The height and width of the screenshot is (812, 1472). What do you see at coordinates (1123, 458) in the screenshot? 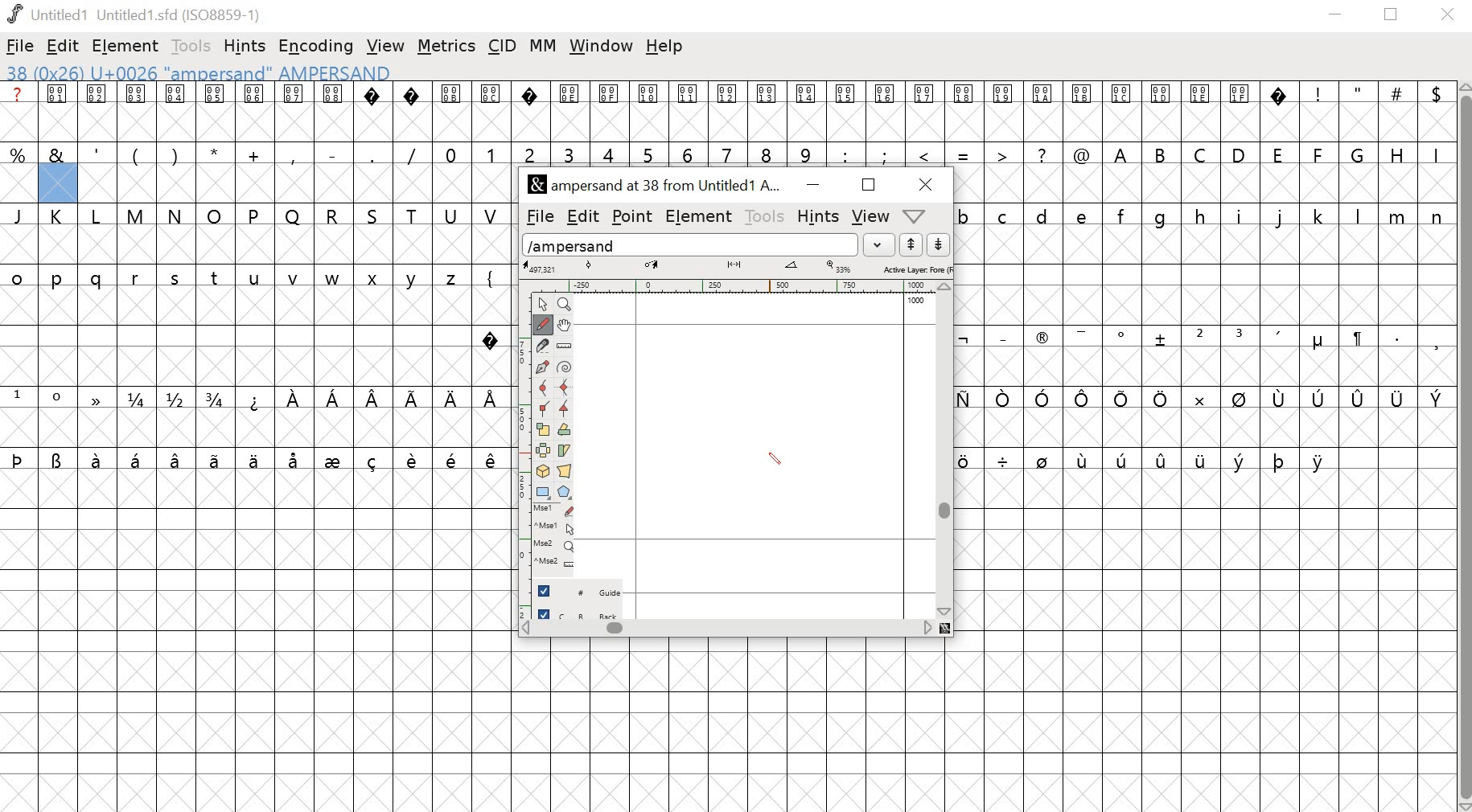
I see `symbol` at bounding box center [1123, 458].